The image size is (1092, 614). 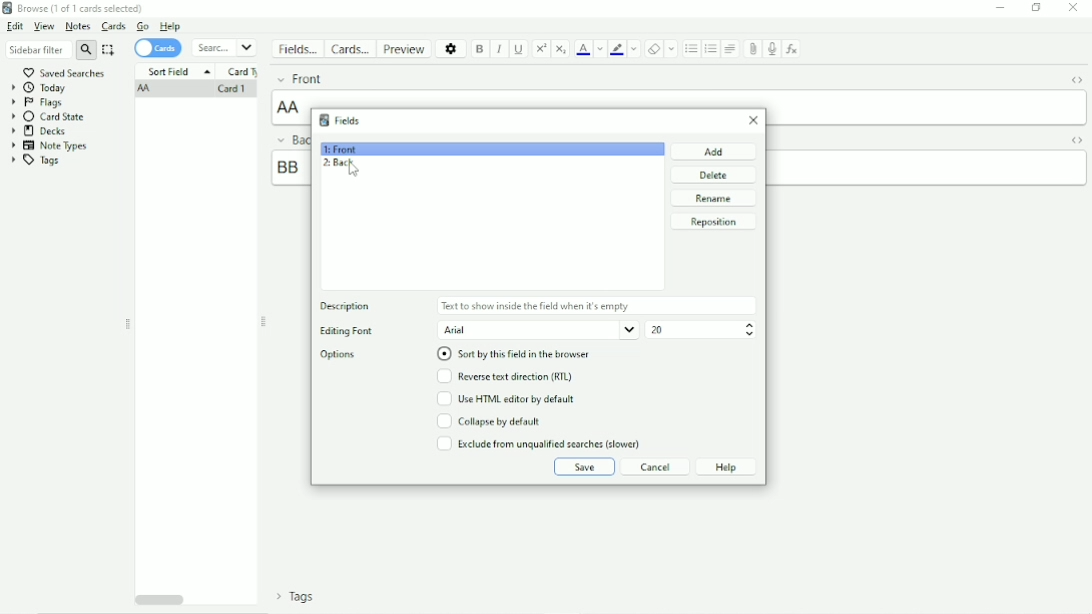 I want to click on Remove formatting, so click(x=654, y=49).